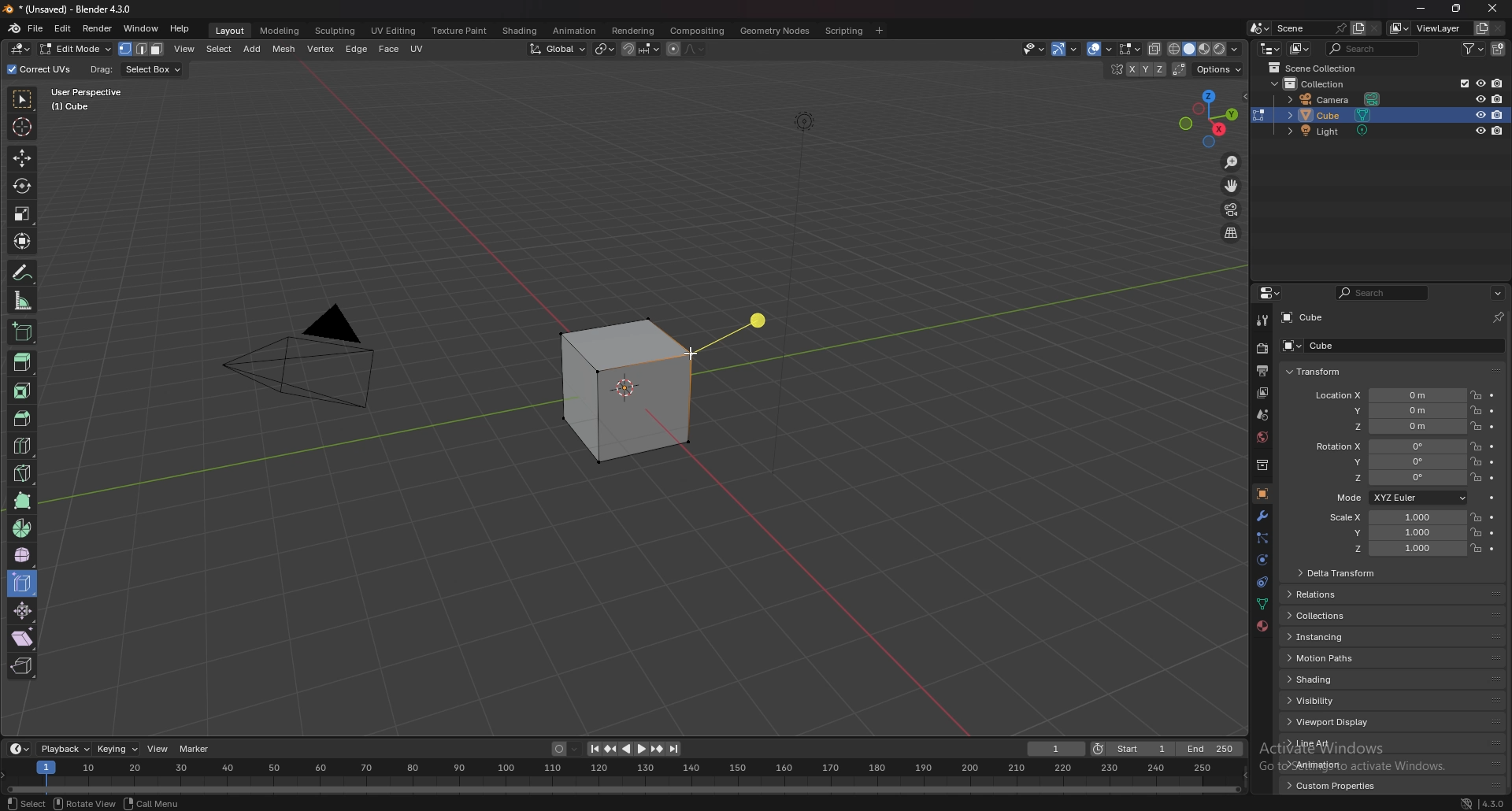 The width and height of the screenshot is (1512, 811). What do you see at coordinates (22, 472) in the screenshot?
I see `knife` at bounding box center [22, 472].